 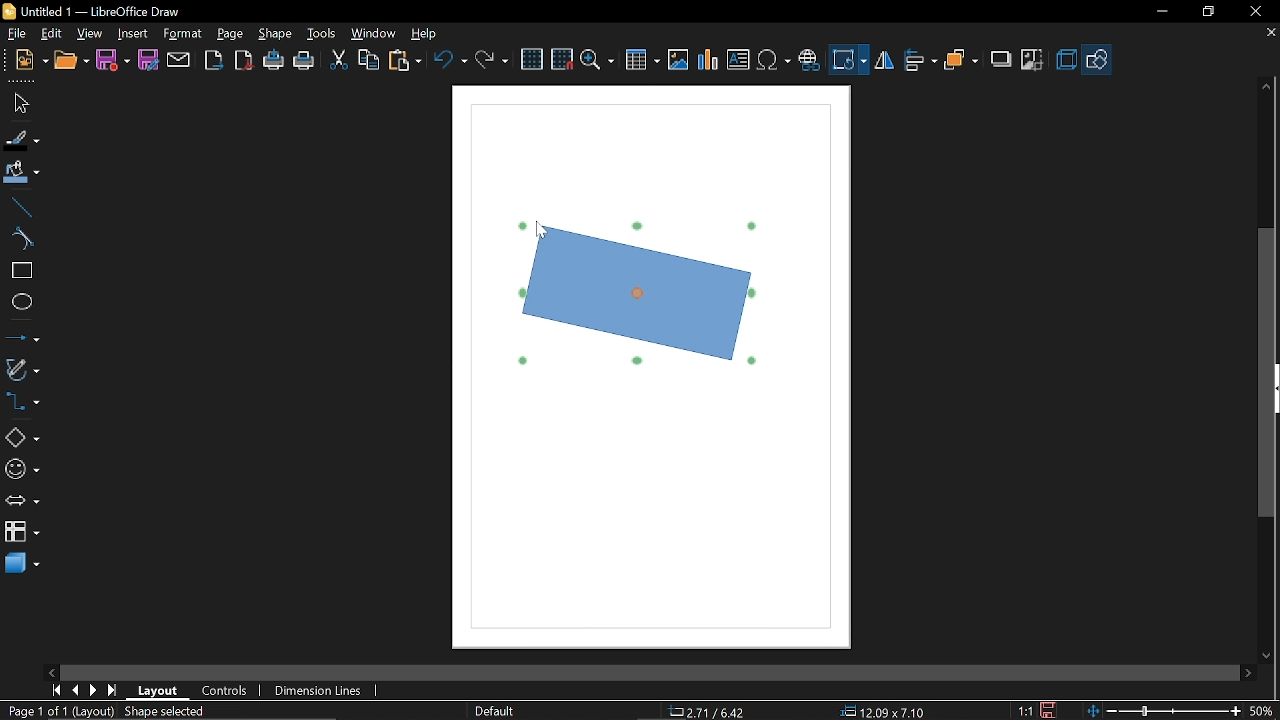 What do you see at coordinates (19, 239) in the screenshot?
I see `Curve` at bounding box center [19, 239].